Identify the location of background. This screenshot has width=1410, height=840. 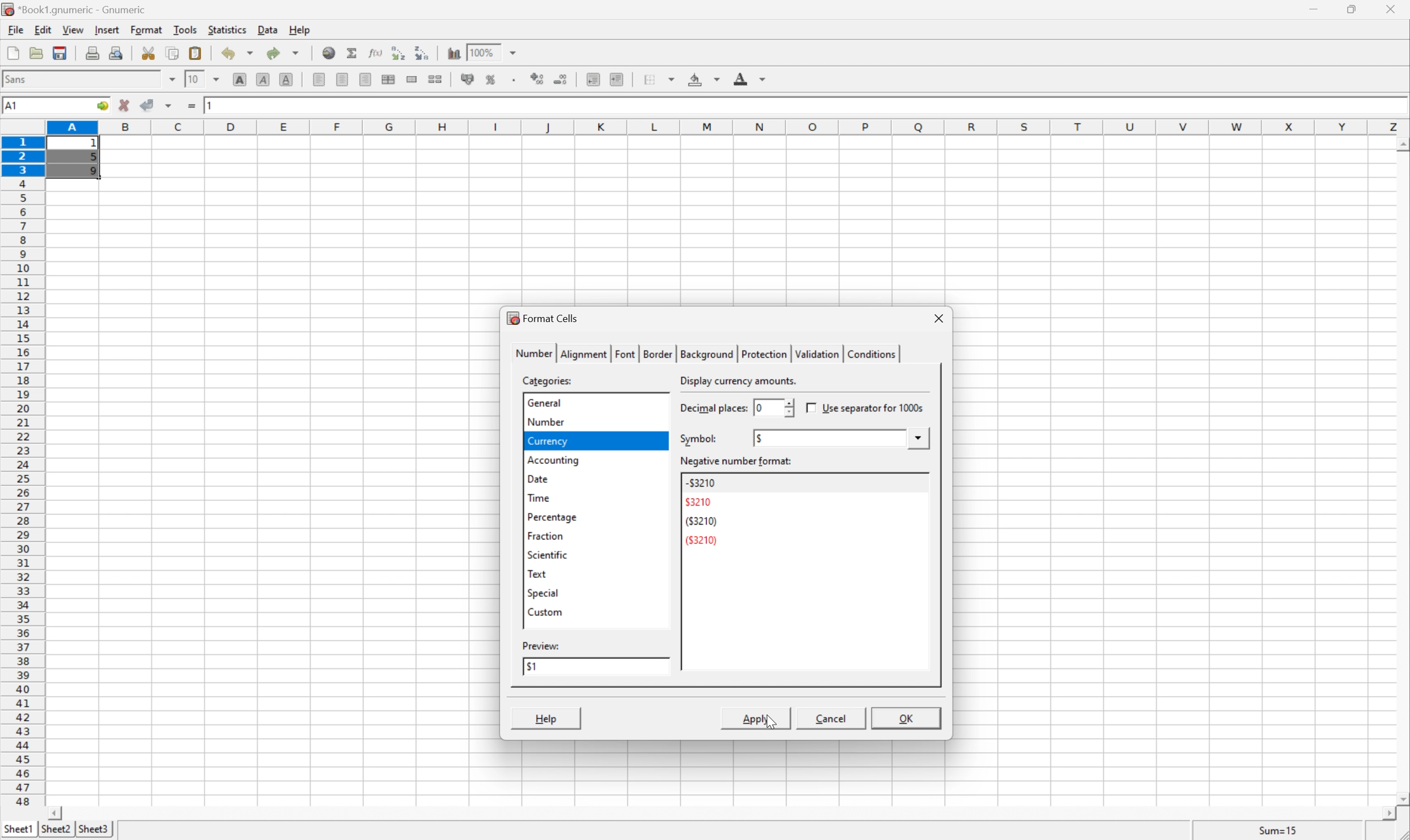
(705, 354).